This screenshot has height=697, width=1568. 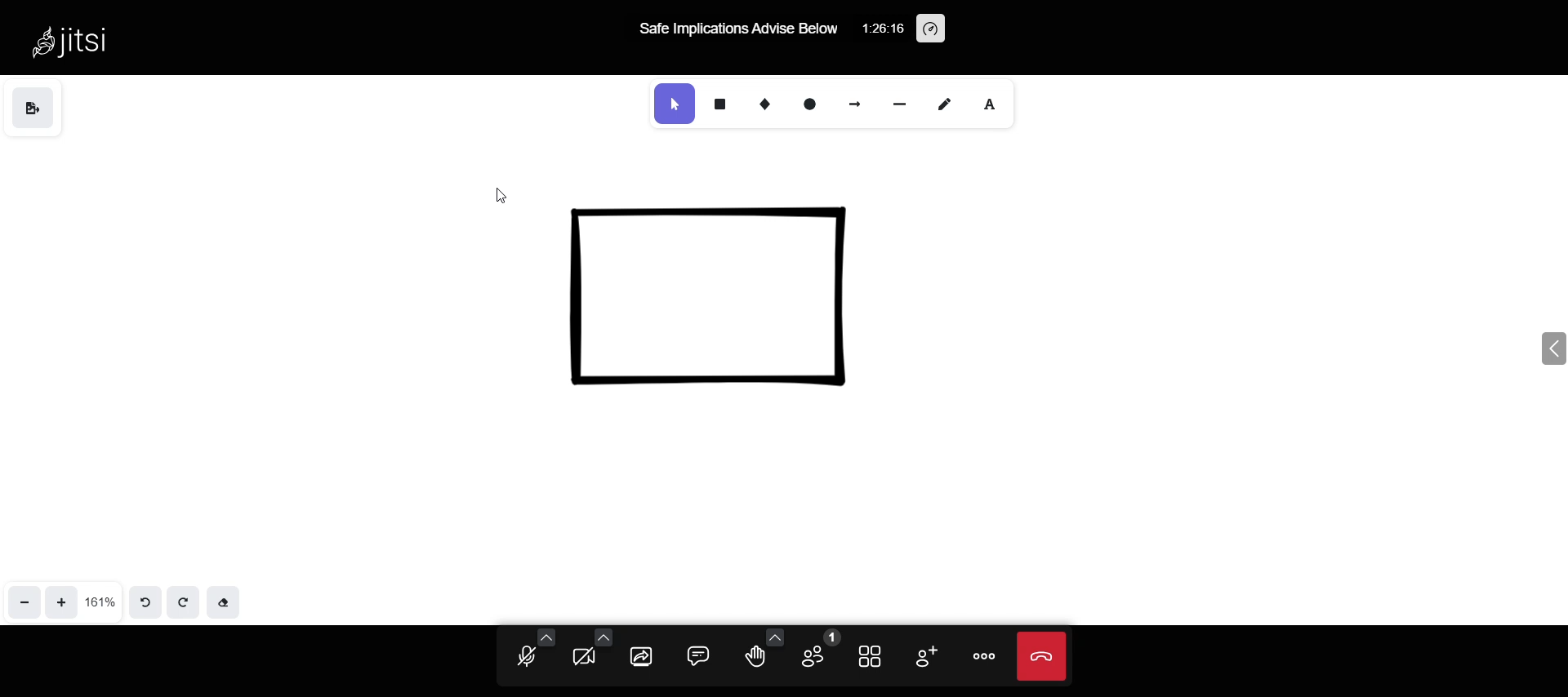 What do you see at coordinates (30, 107) in the screenshot?
I see `save as image` at bounding box center [30, 107].